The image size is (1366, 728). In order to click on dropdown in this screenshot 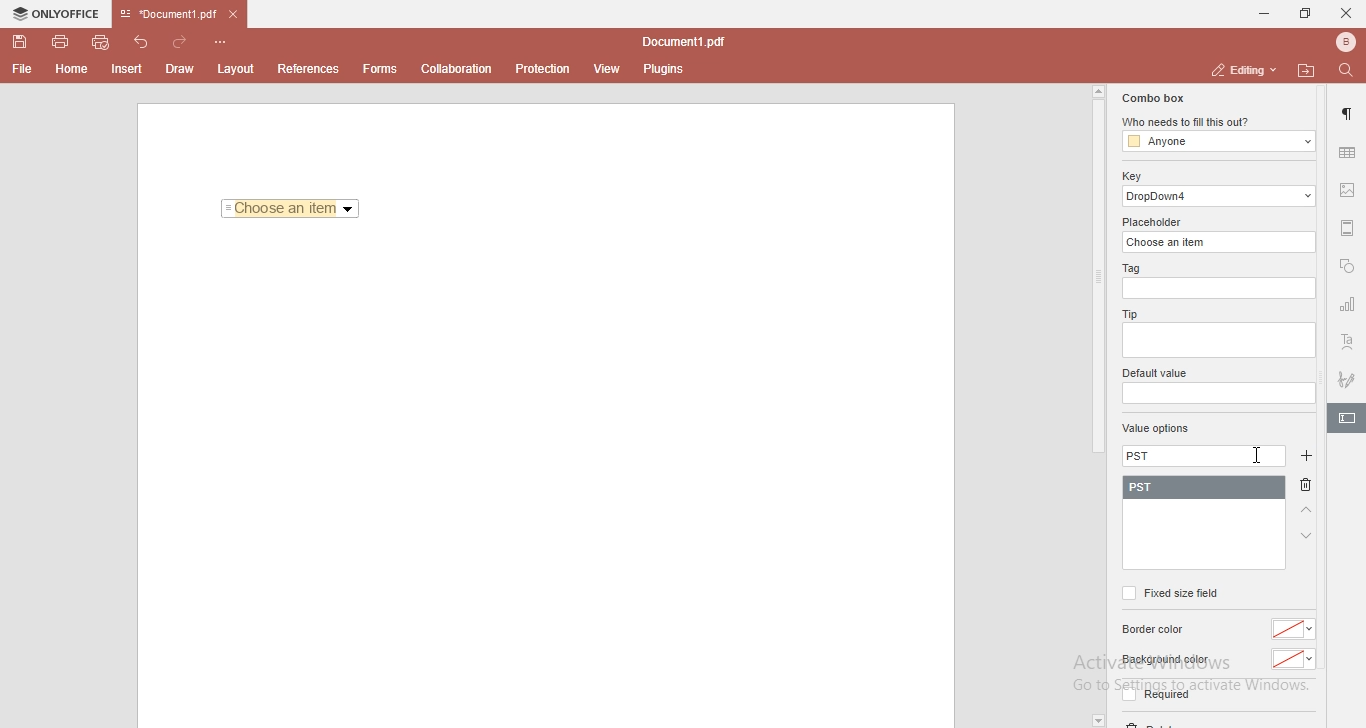, I will do `click(1097, 720)`.